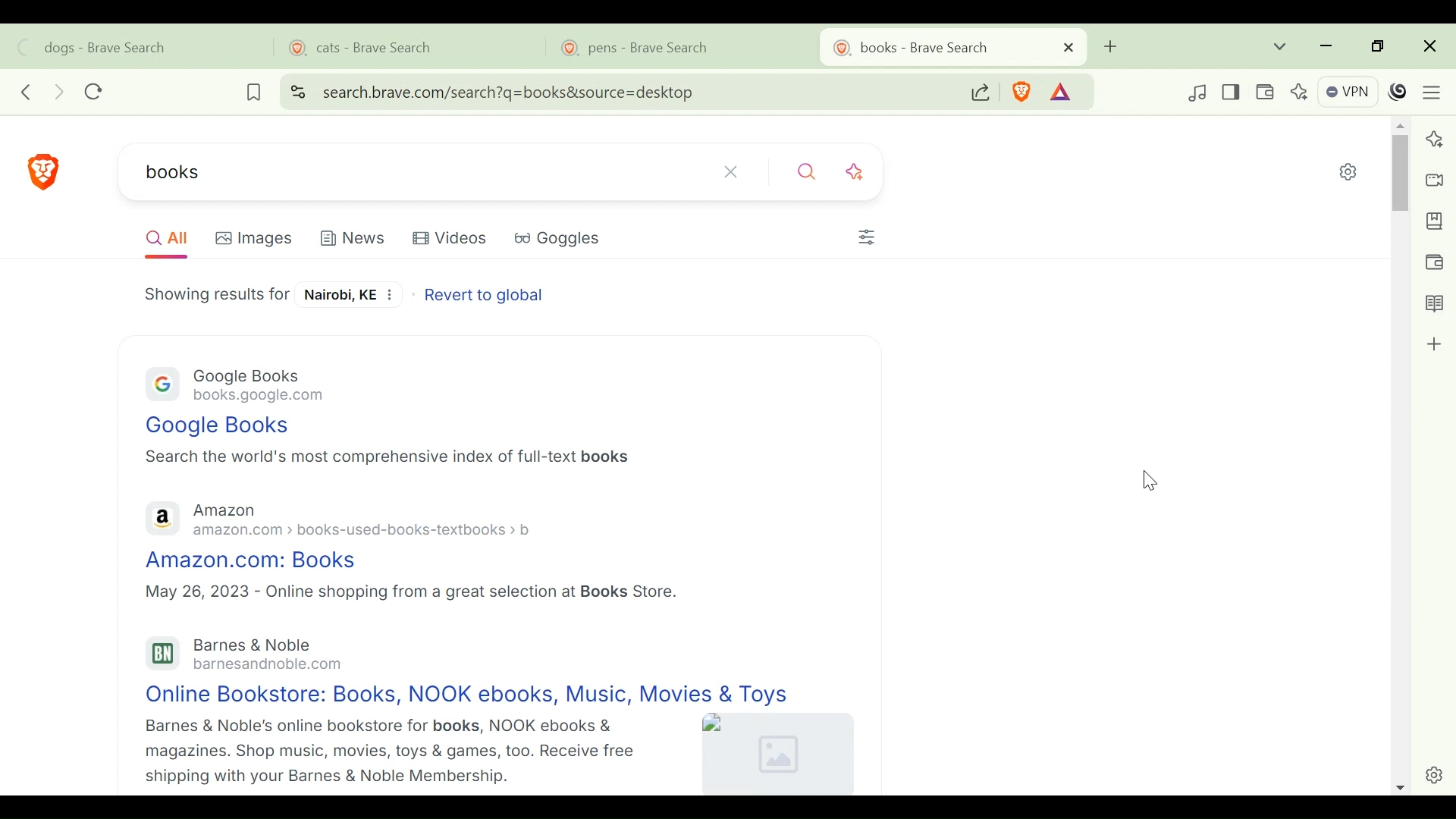  Describe the element at coordinates (414, 50) in the screenshot. I see `cats - Brave Search` at that location.